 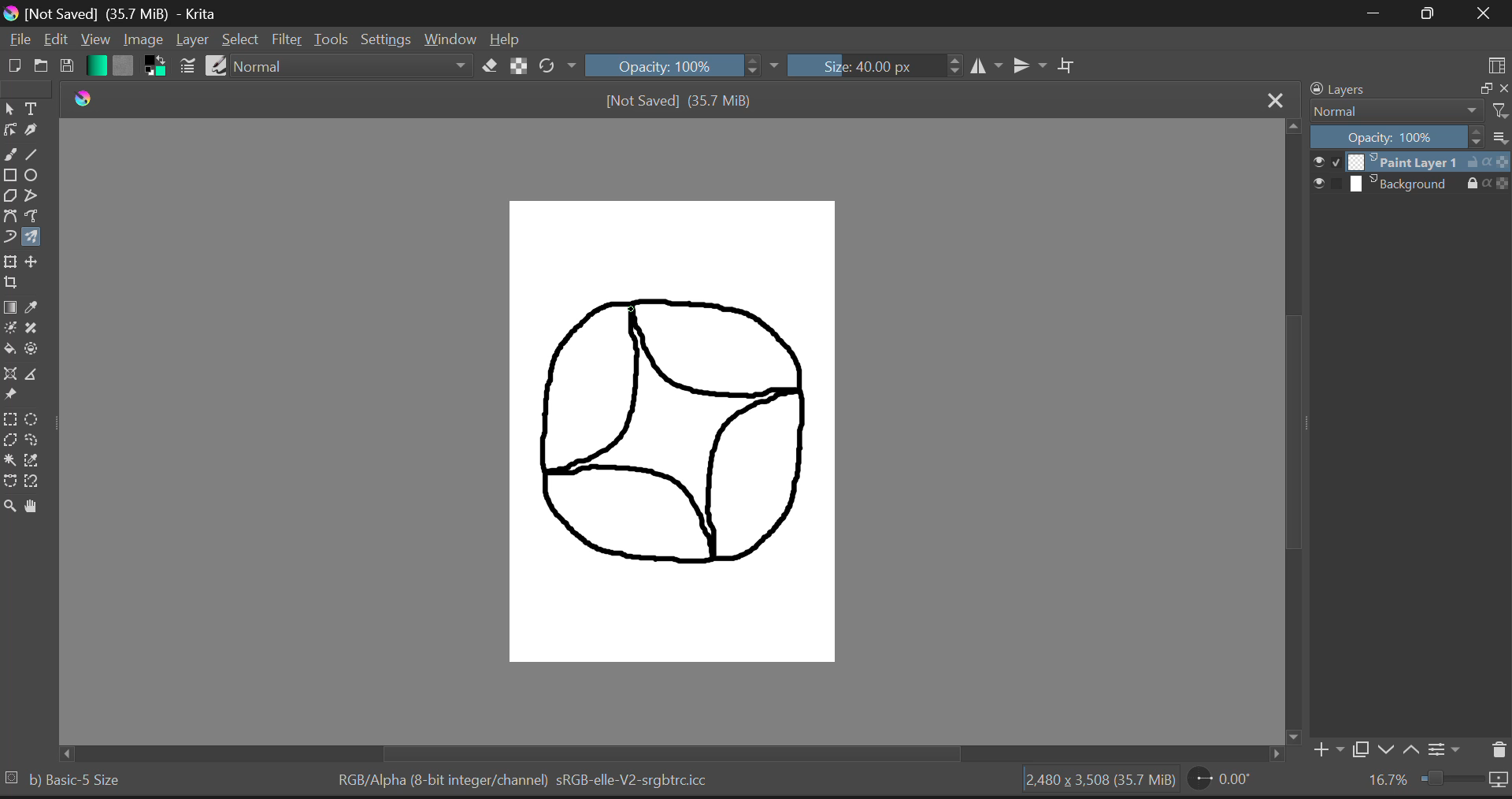 I want to click on Krita Logo, so click(x=82, y=98).